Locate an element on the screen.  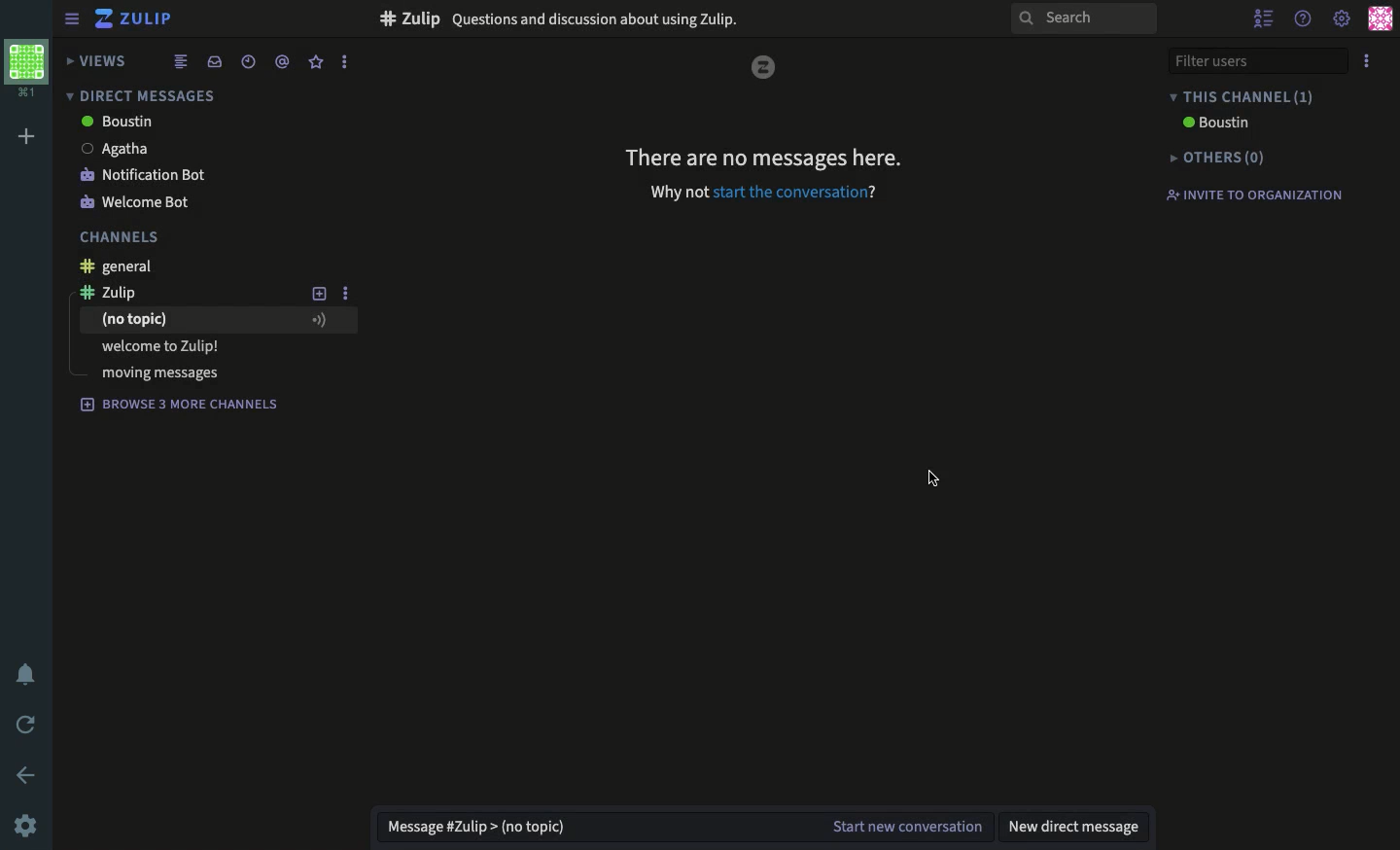
moving messages is located at coordinates (160, 372).